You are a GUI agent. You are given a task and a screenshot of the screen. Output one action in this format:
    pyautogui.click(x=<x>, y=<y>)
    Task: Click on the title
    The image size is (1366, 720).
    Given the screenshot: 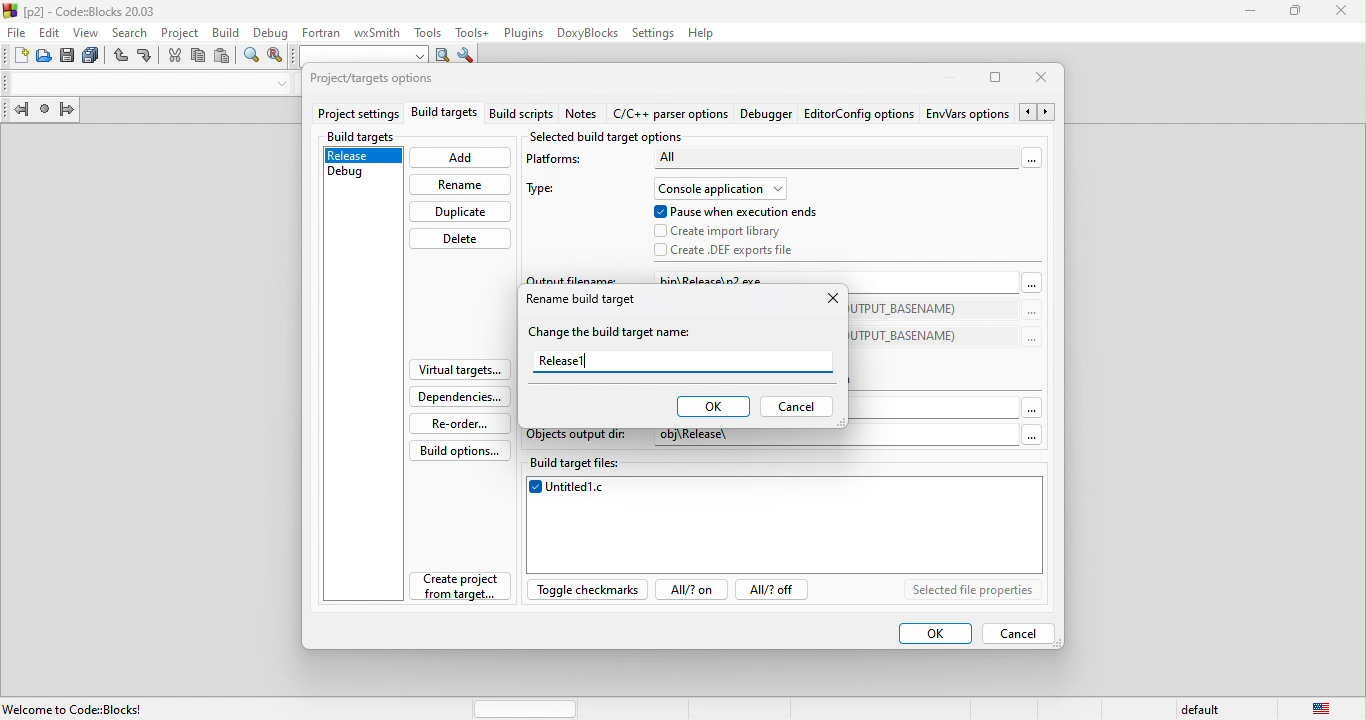 What is the action you would take?
    pyautogui.click(x=84, y=10)
    